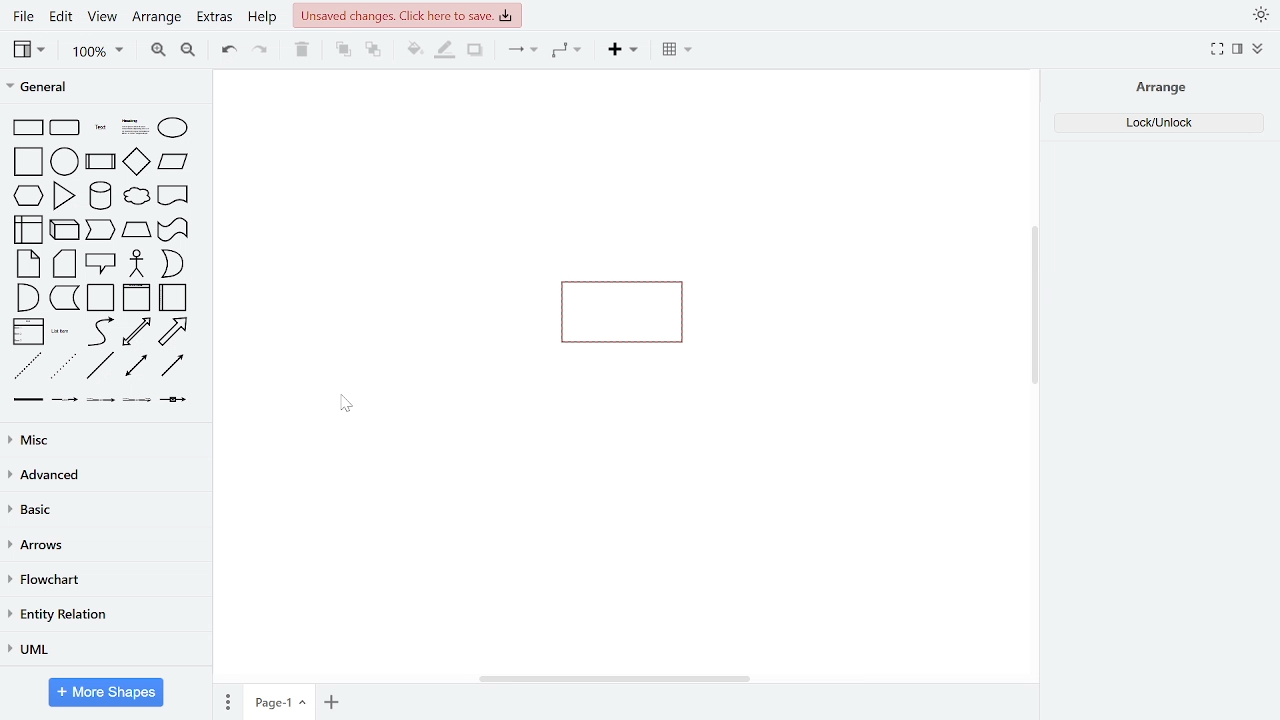  I want to click on arrange, so click(1159, 89).